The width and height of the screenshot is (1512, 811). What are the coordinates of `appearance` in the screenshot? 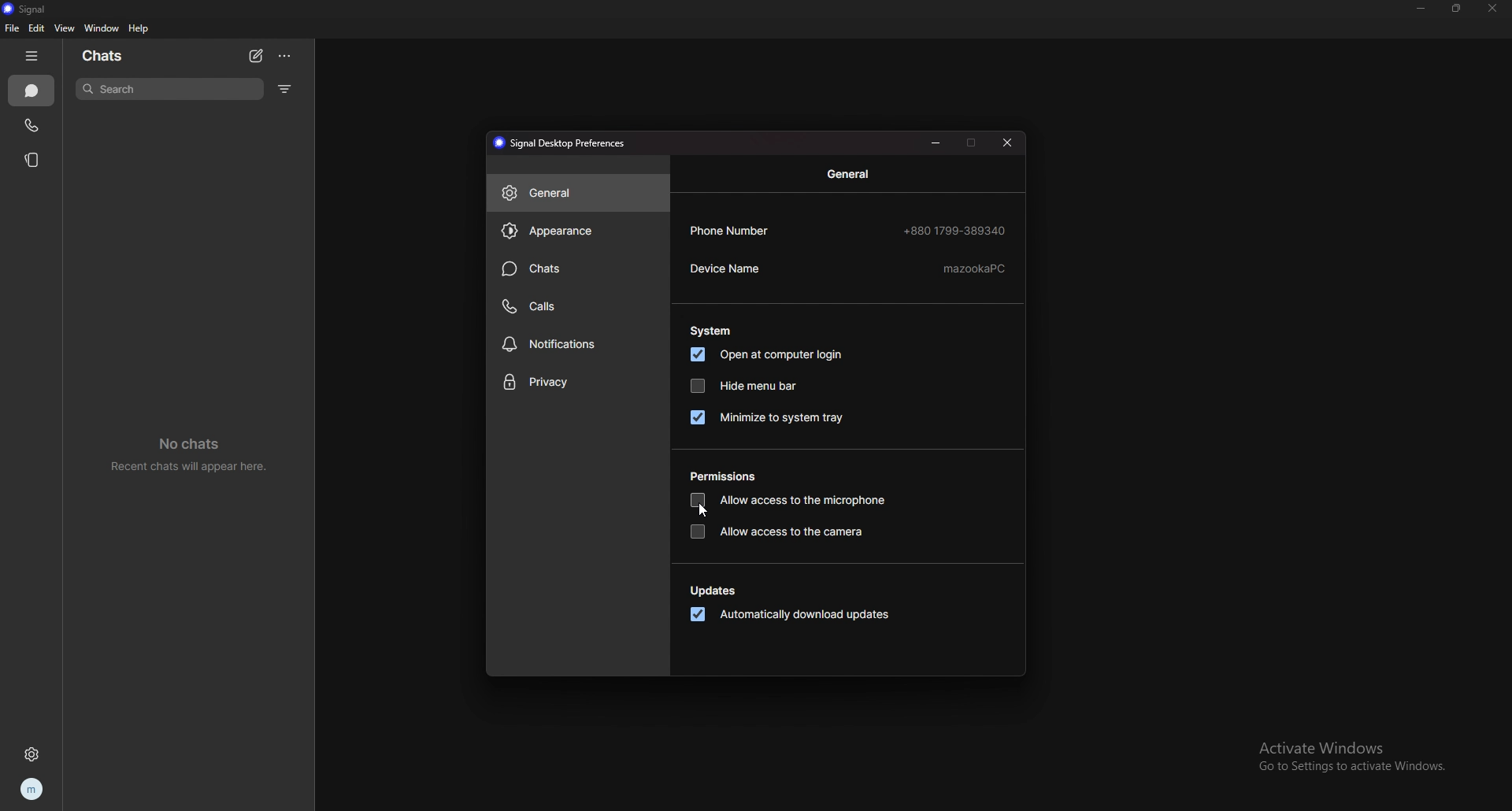 It's located at (576, 231).